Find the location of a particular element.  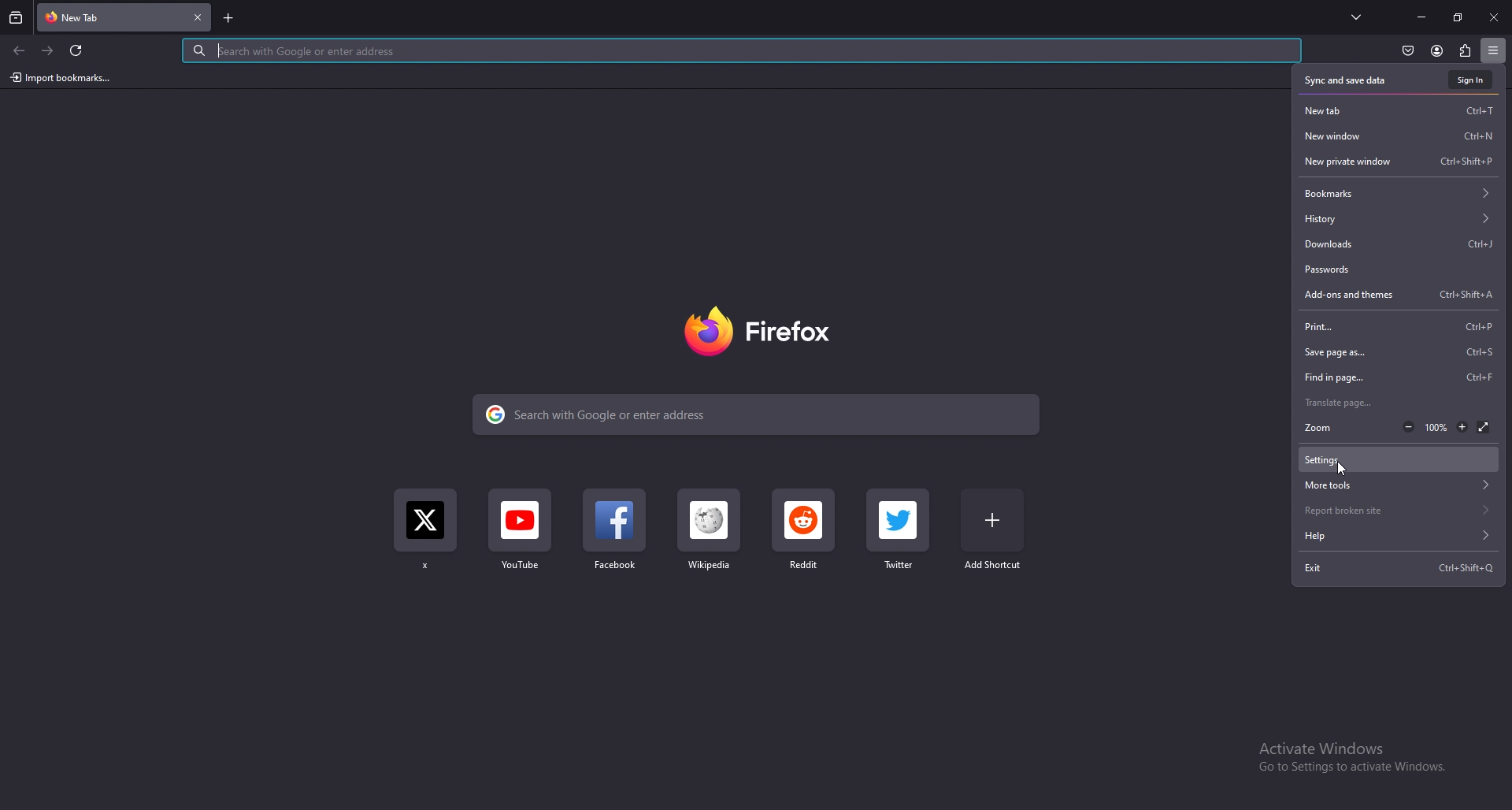

bookmarks is located at coordinates (1399, 193).